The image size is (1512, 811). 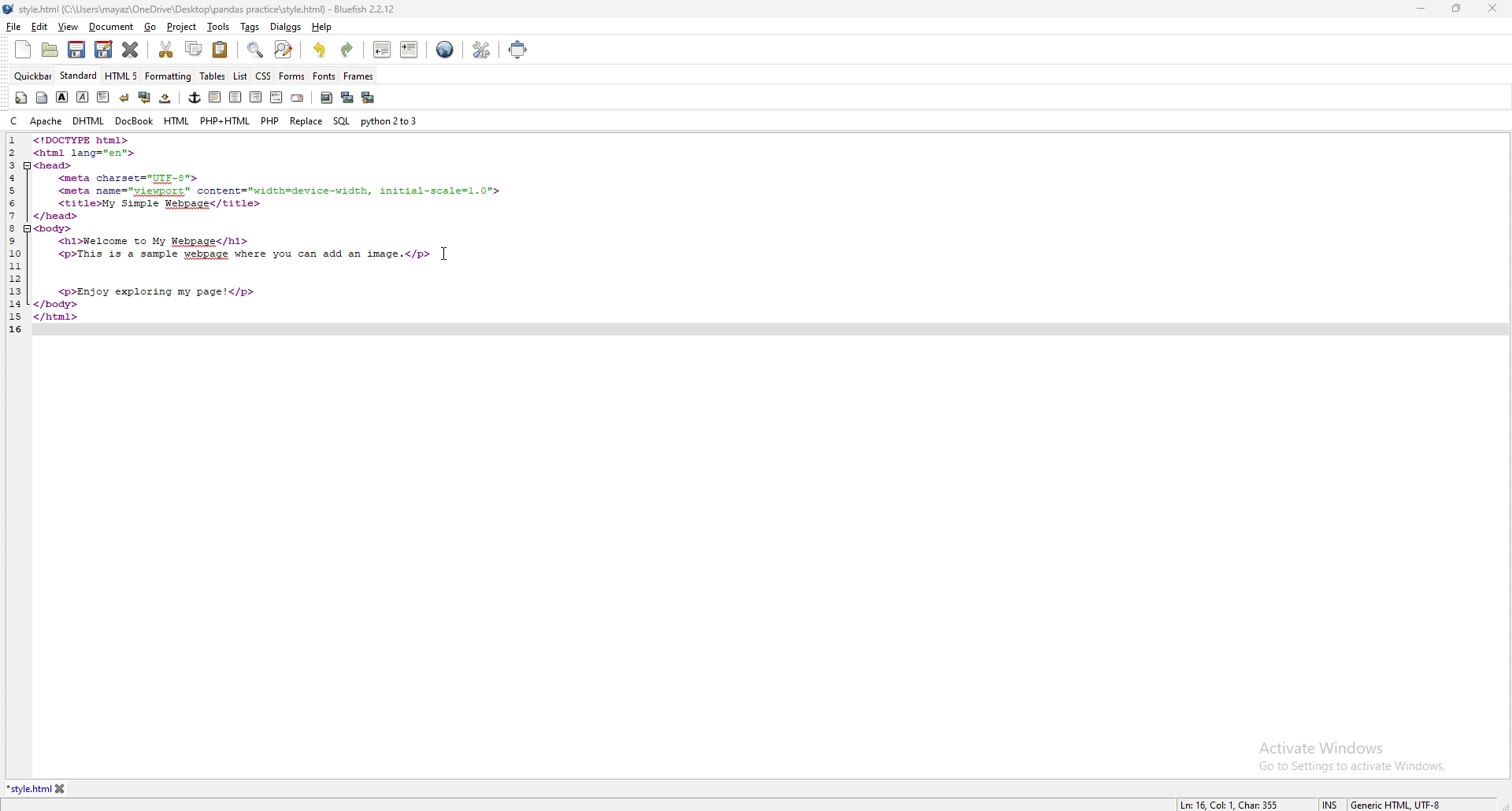 What do you see at coordinates (46, 121) in the screenshot?
I see `apache` at bounding box center [46, 121].